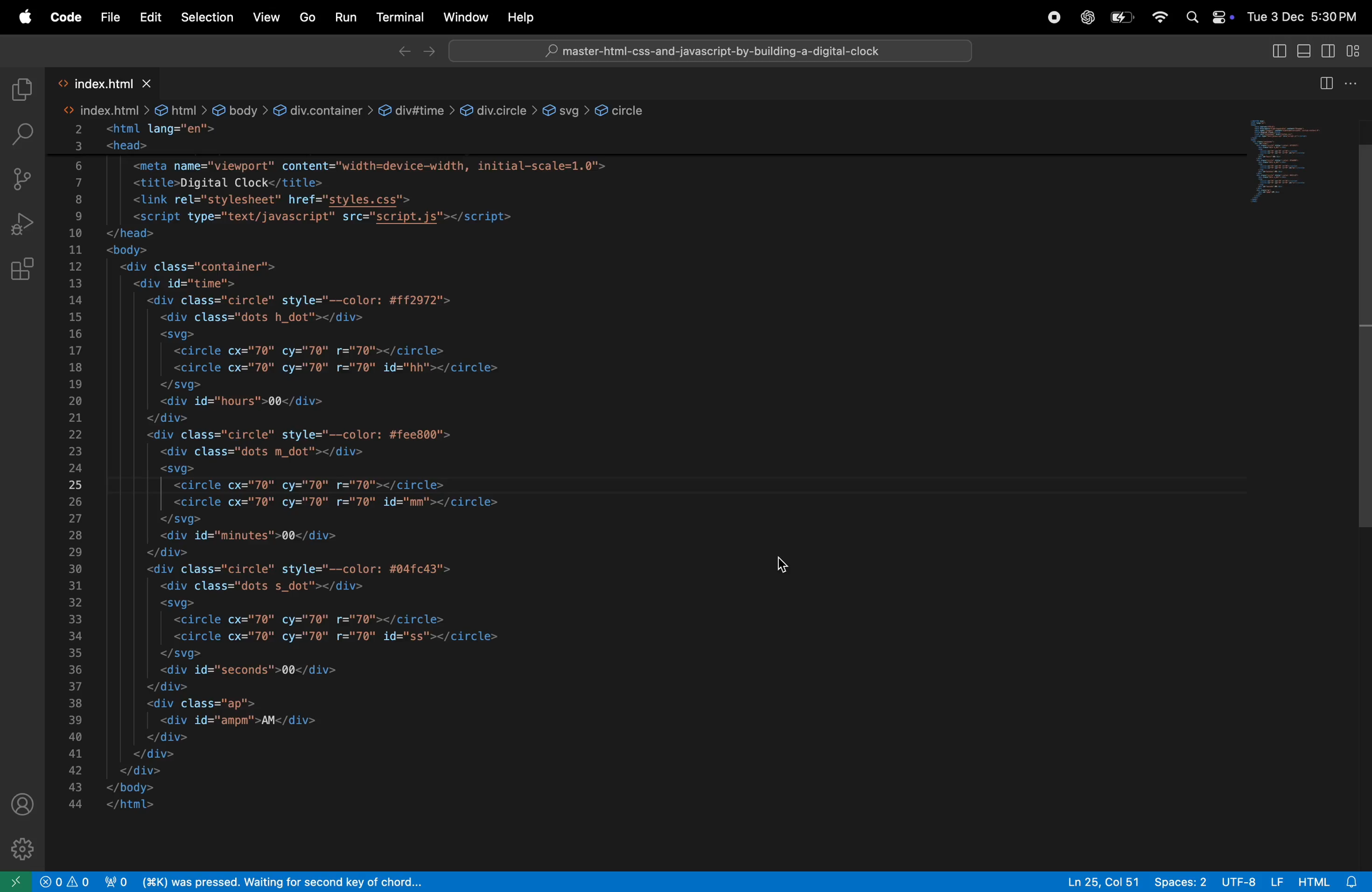  What do you see at coordinates (1181, 880) in the screenshot?
I see `space 2` at bounding box center [1181, 880].